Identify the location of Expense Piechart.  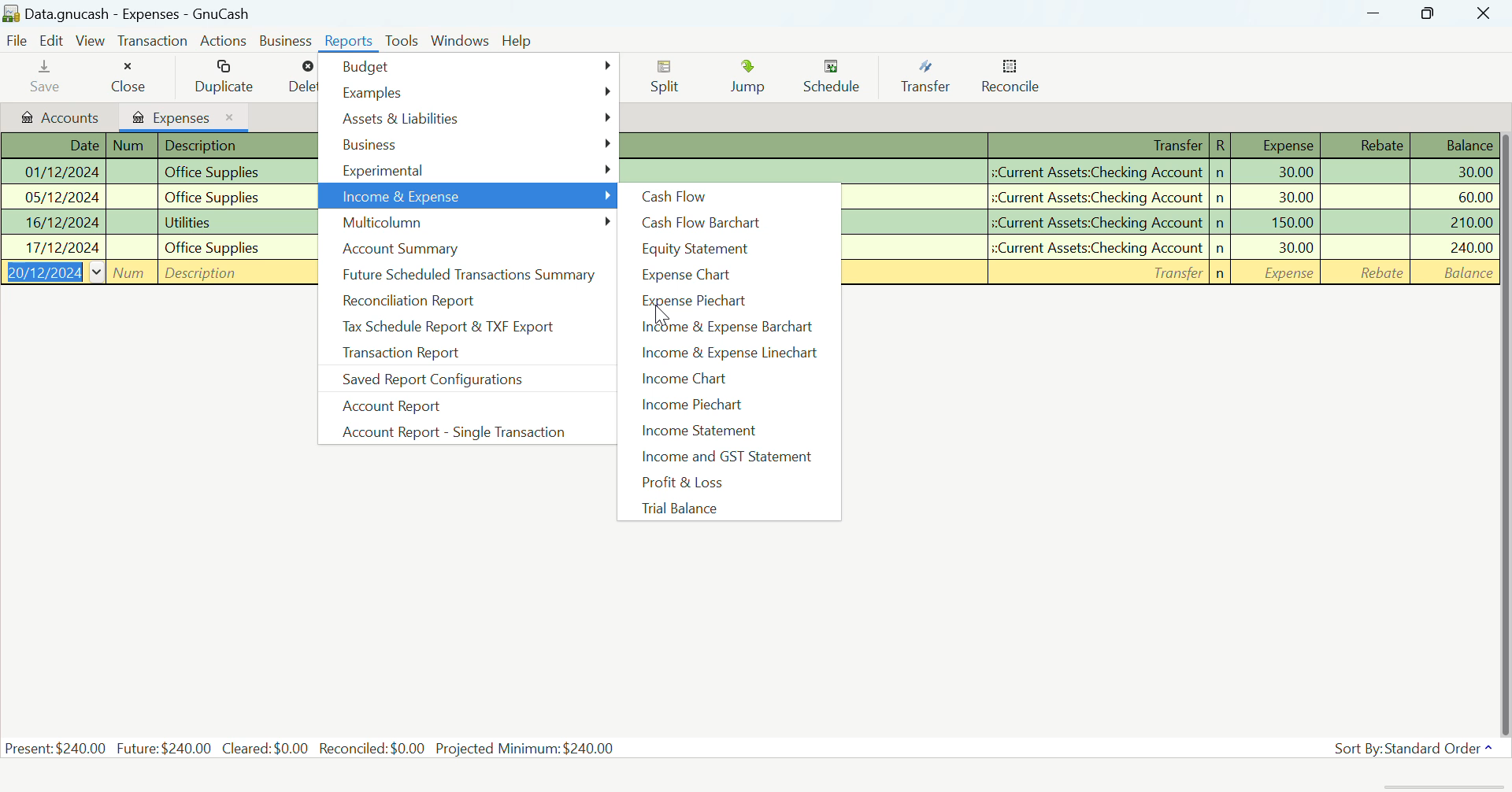
(726, 302).